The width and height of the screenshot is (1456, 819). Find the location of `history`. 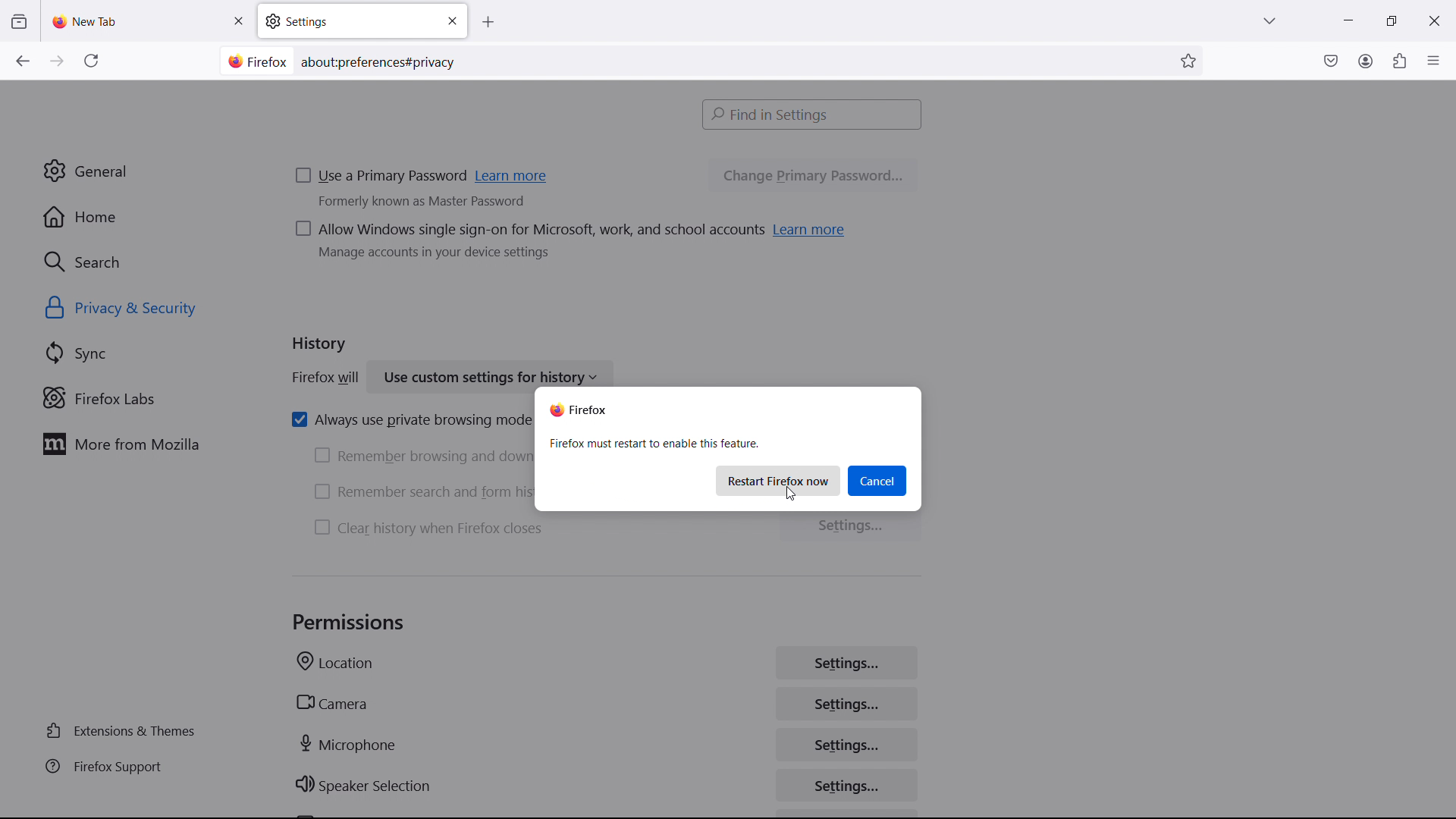

history is located at coordinates (320, 347).